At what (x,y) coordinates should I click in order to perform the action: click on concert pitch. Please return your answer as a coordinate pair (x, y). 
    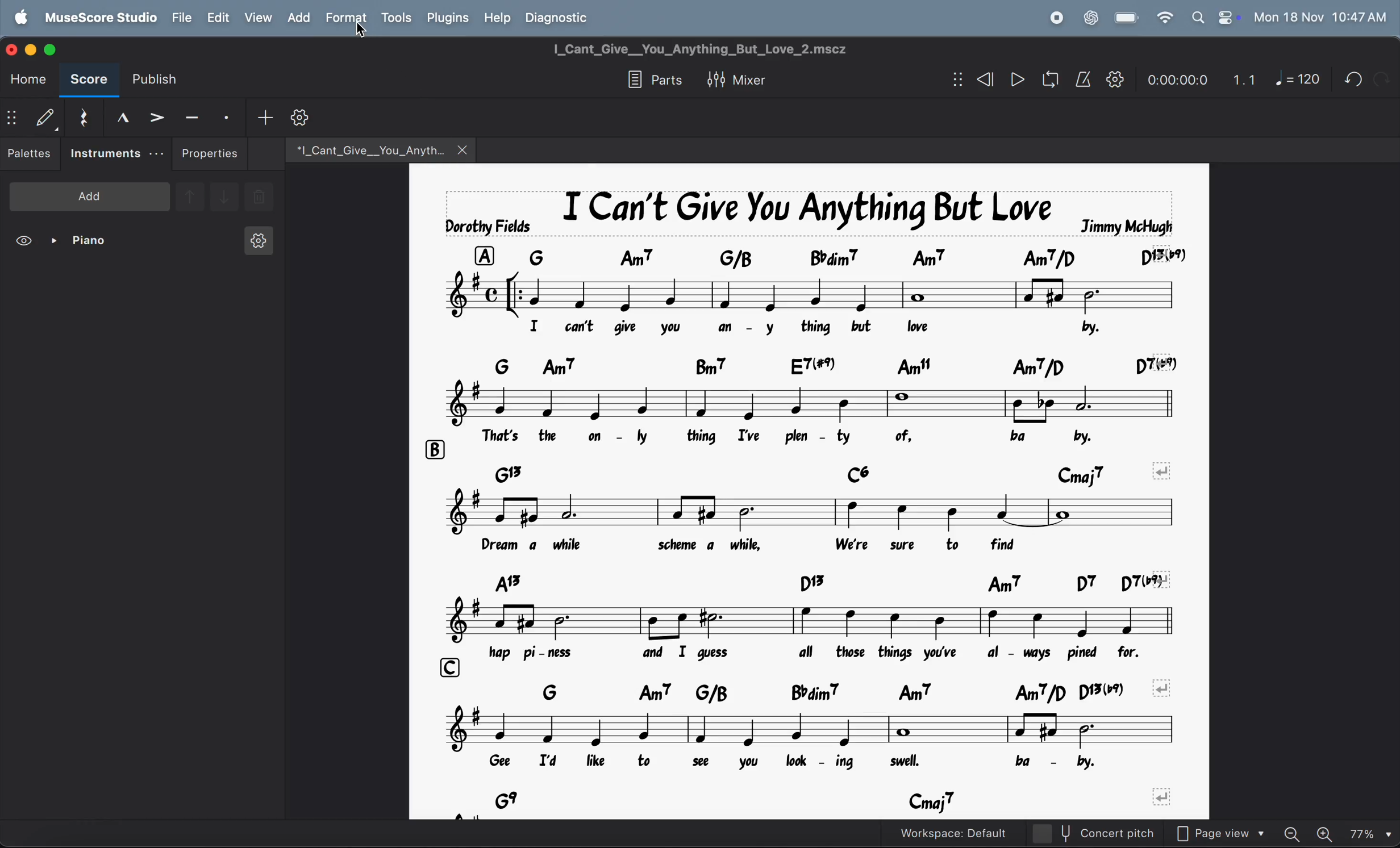
    Looking at the image, I should click on (1116, 833).